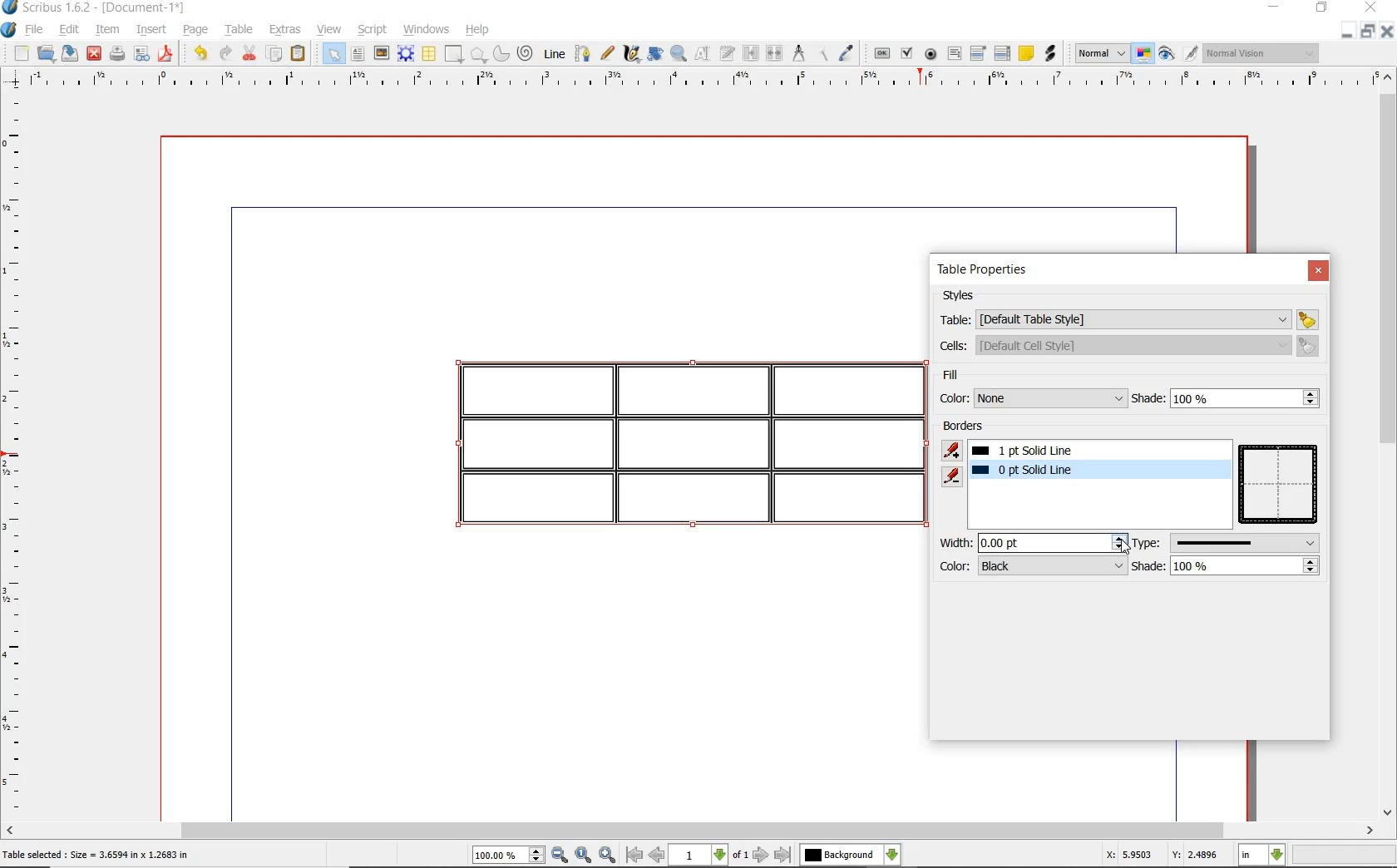  Describe the element at coordinates (476, 31) in the screenshot. I see `help` at that location.